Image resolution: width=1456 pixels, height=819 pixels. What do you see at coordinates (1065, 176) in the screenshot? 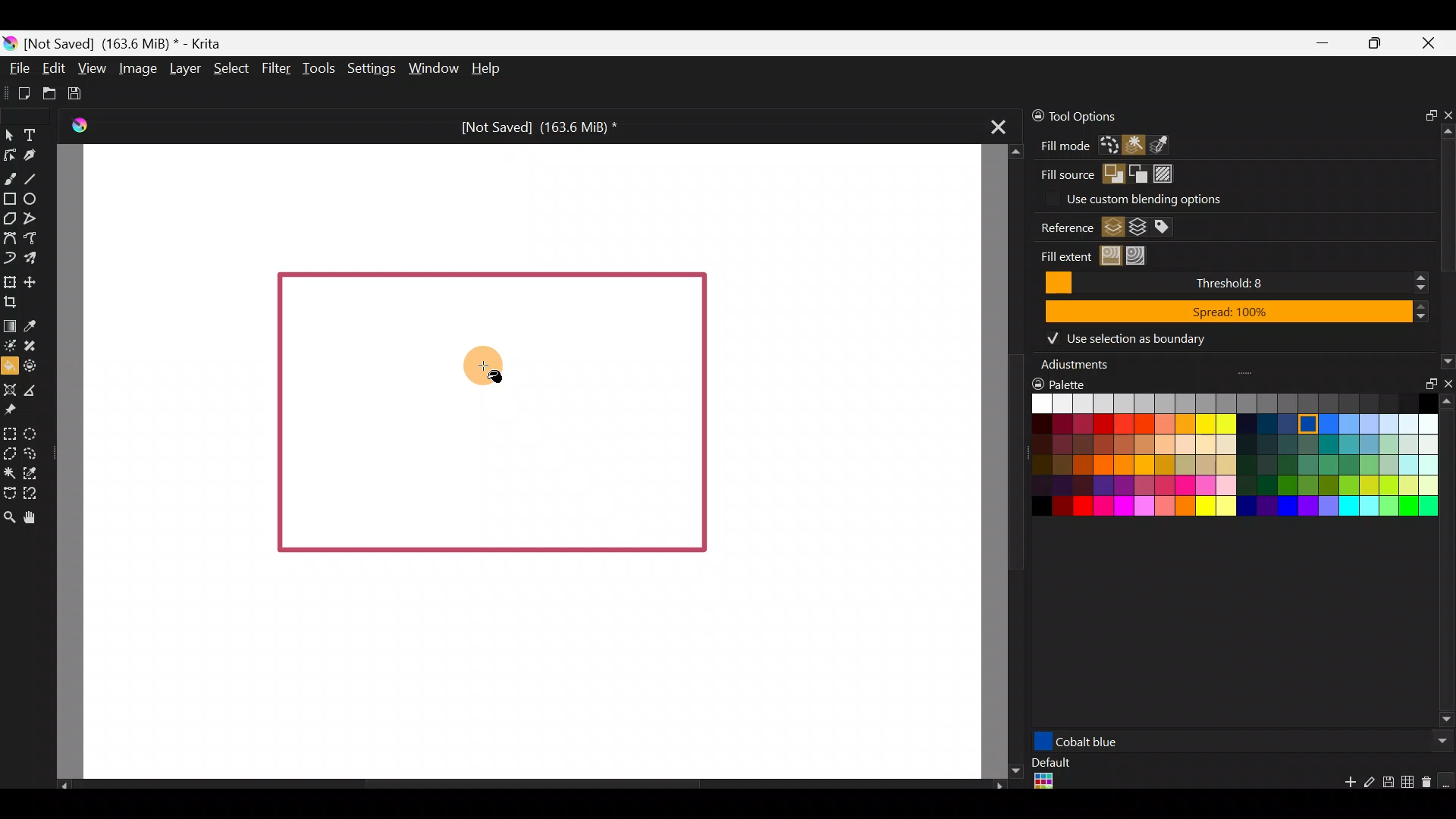
I see `Fill source` at bounding box center [1065, 176].